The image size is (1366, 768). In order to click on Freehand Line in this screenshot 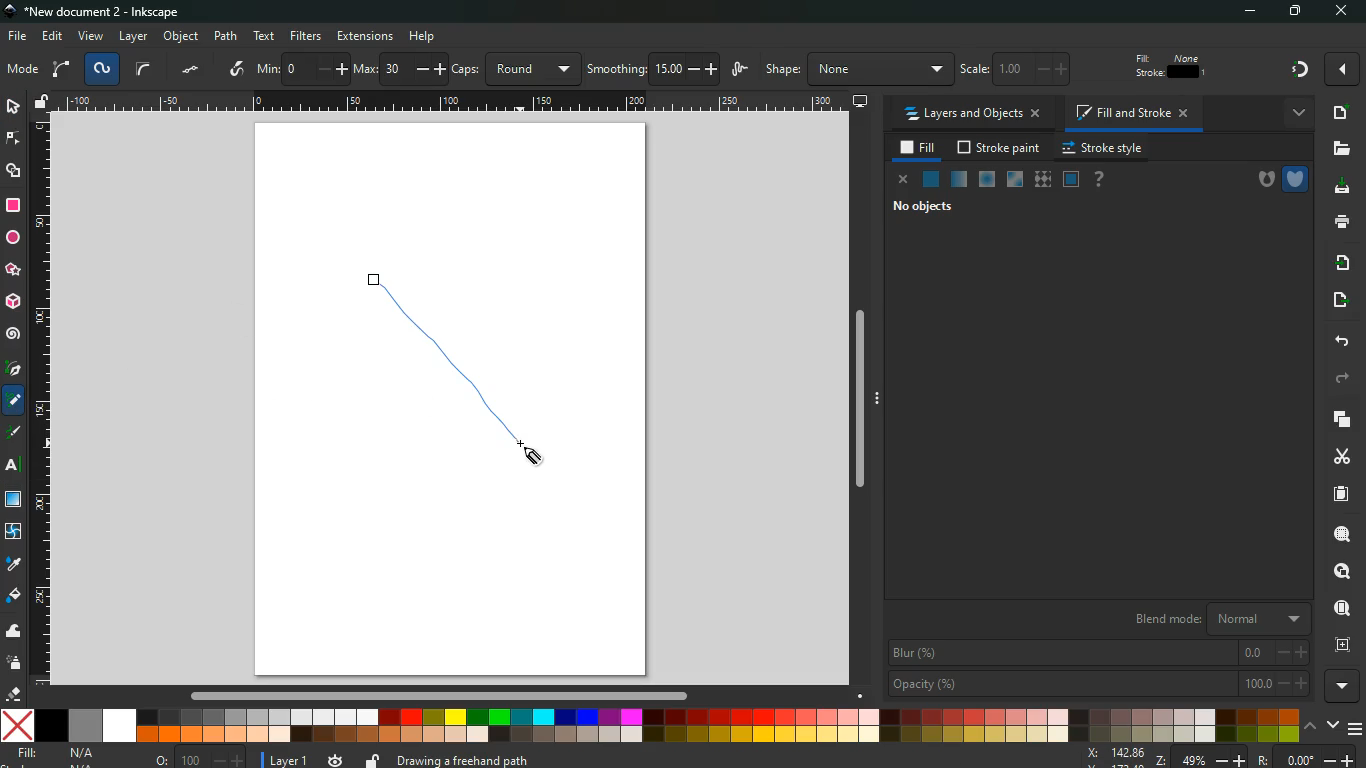, I will do `click(441, 356)`.